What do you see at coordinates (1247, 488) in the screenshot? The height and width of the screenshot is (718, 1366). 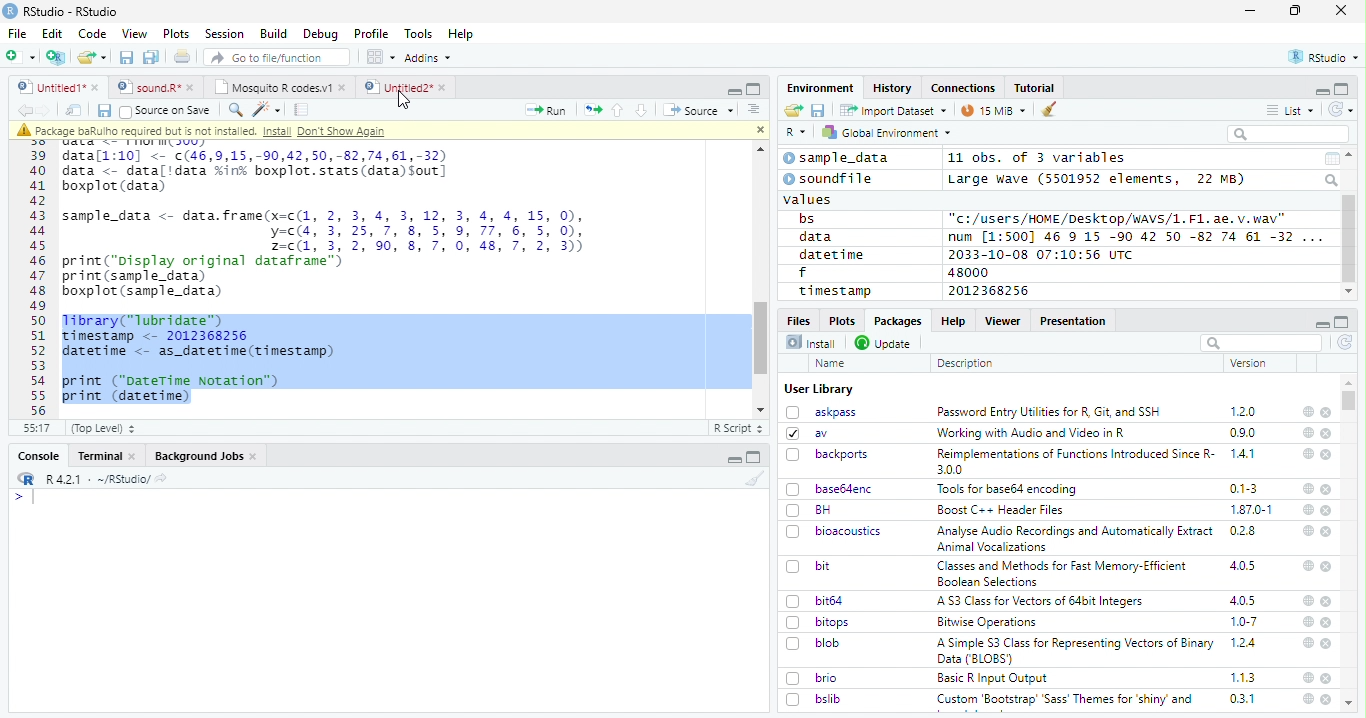 I see `0.1-3` at bounding box center [1247, 488].